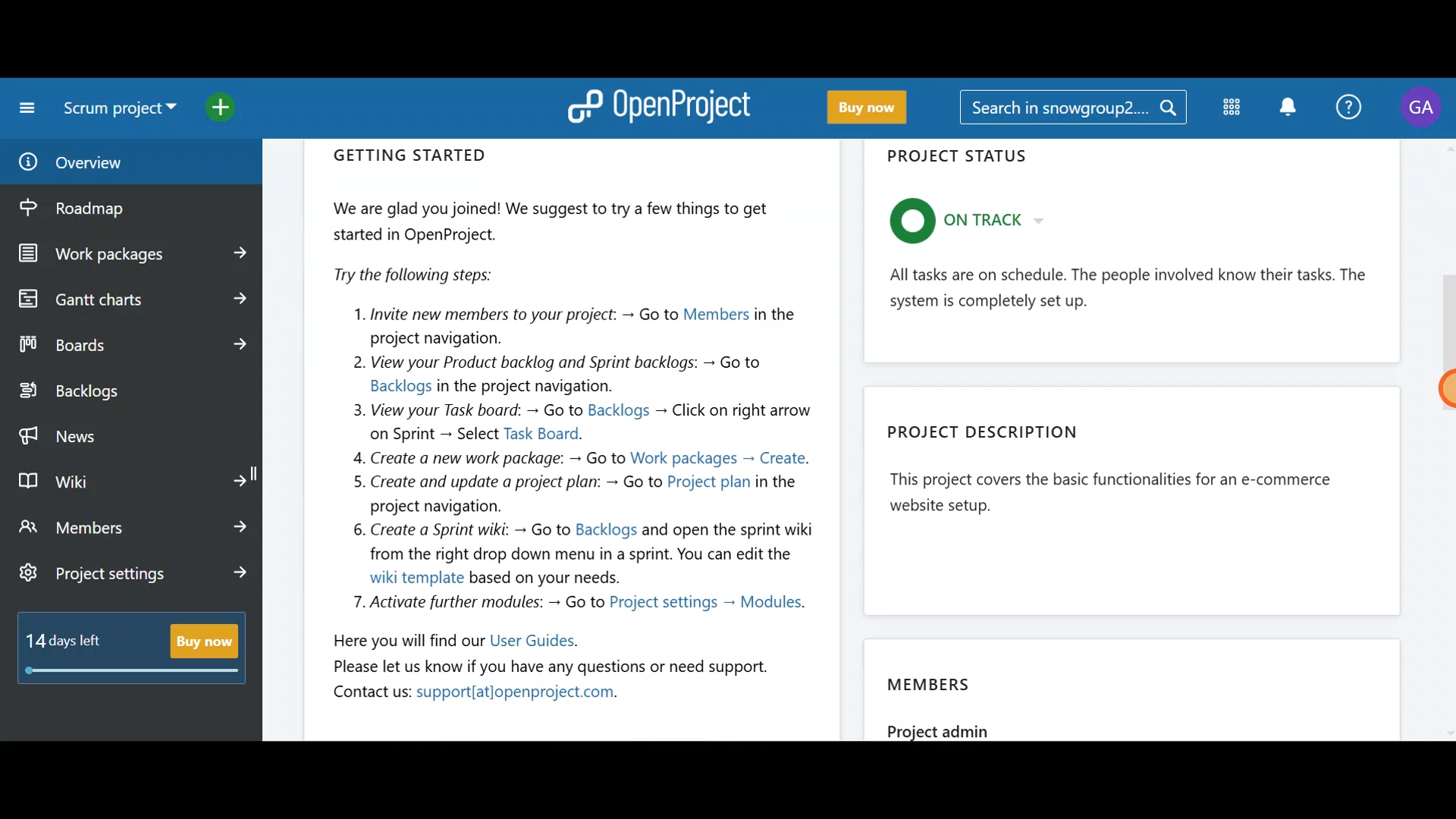  What do you see at coordinates (133, 254) in the screenshot?
I see `Work packages` at bounding box center [133, 254].